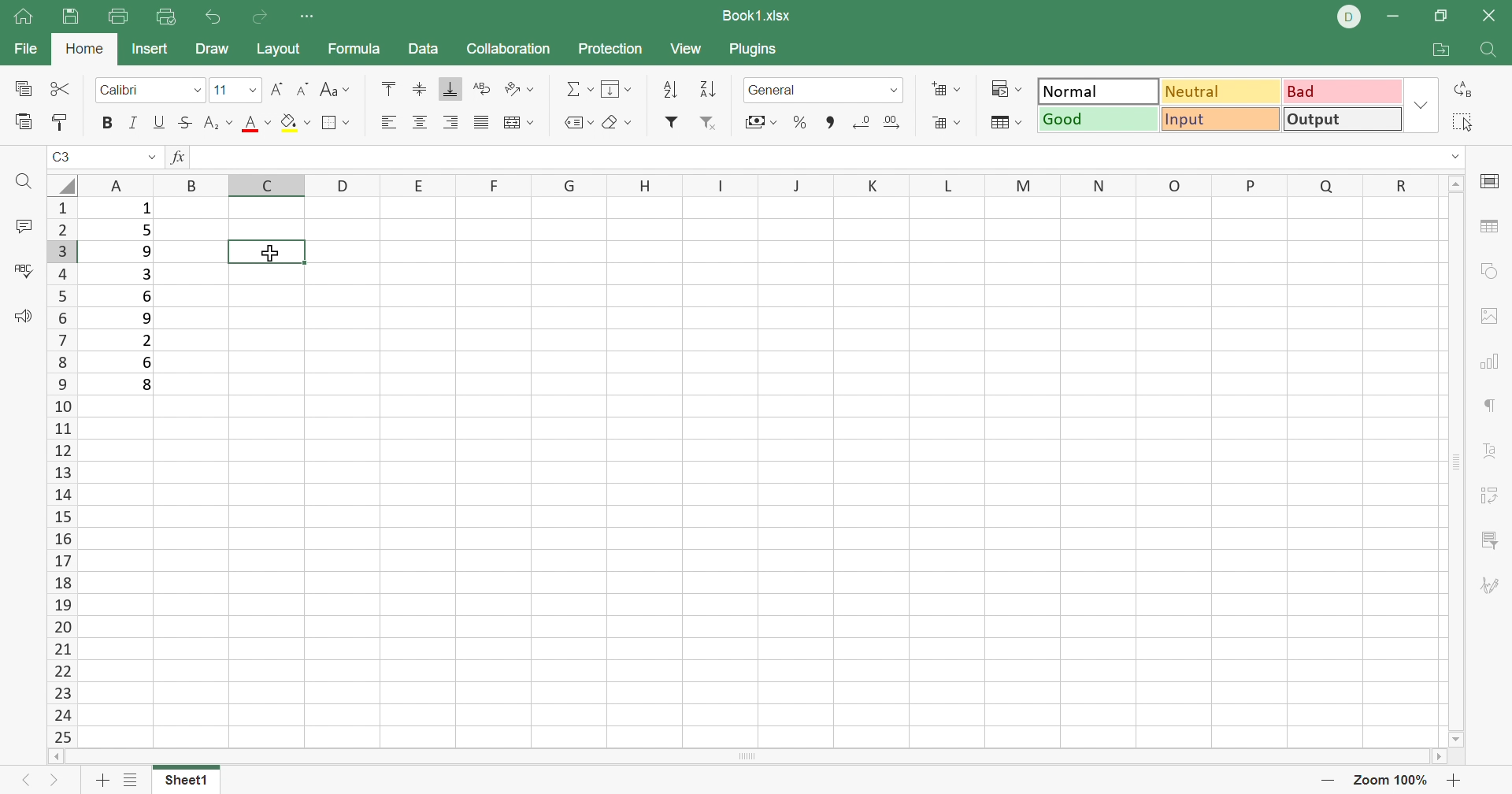 This screenshot has width=1512, height=794. Describe the element at coordinates (1453, 780) in the screenshot. I see `Zoom in` at that location.